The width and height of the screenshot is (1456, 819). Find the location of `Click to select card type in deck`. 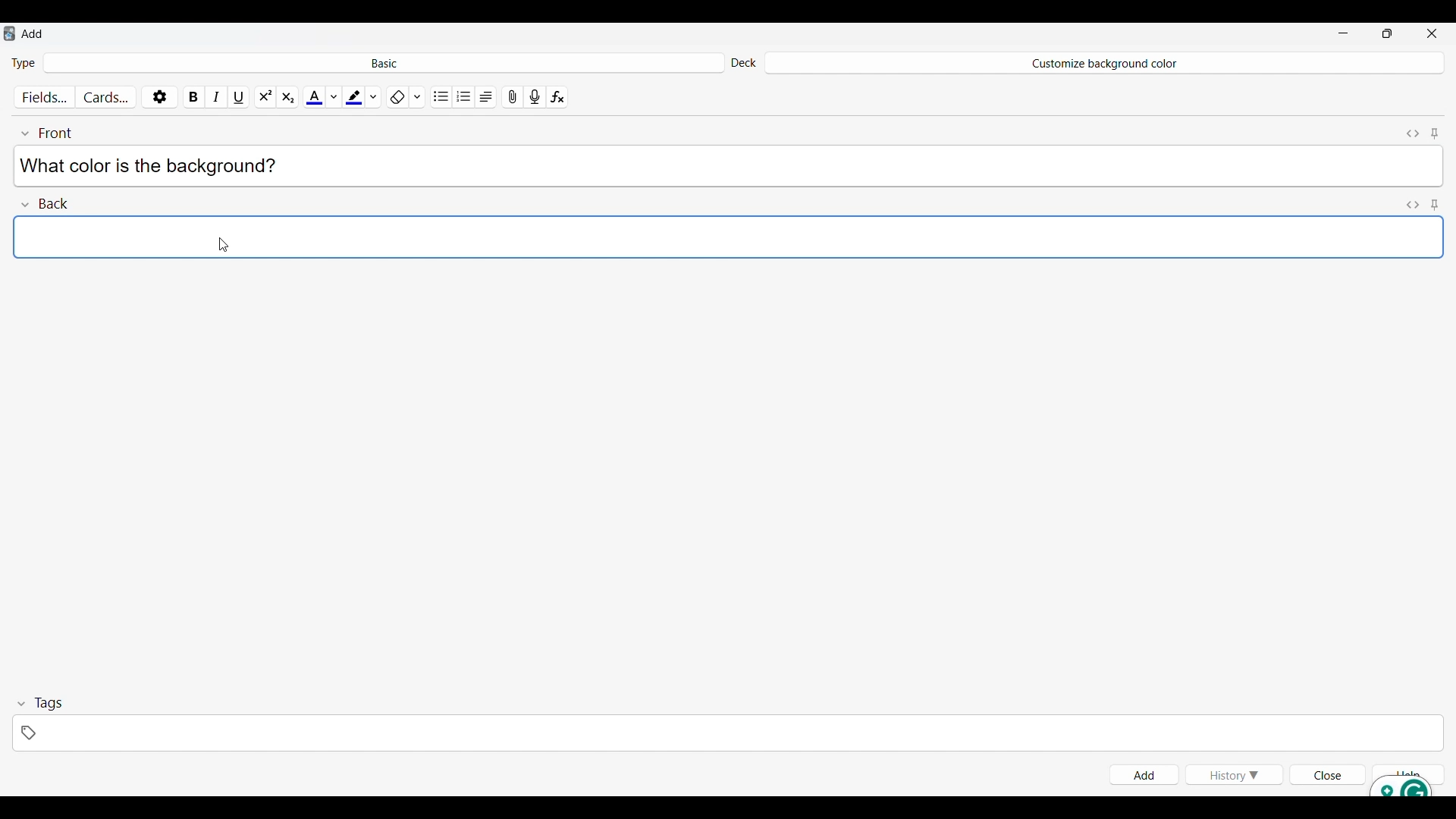

Click to select card type in deck is located at coordinates (384, 61).